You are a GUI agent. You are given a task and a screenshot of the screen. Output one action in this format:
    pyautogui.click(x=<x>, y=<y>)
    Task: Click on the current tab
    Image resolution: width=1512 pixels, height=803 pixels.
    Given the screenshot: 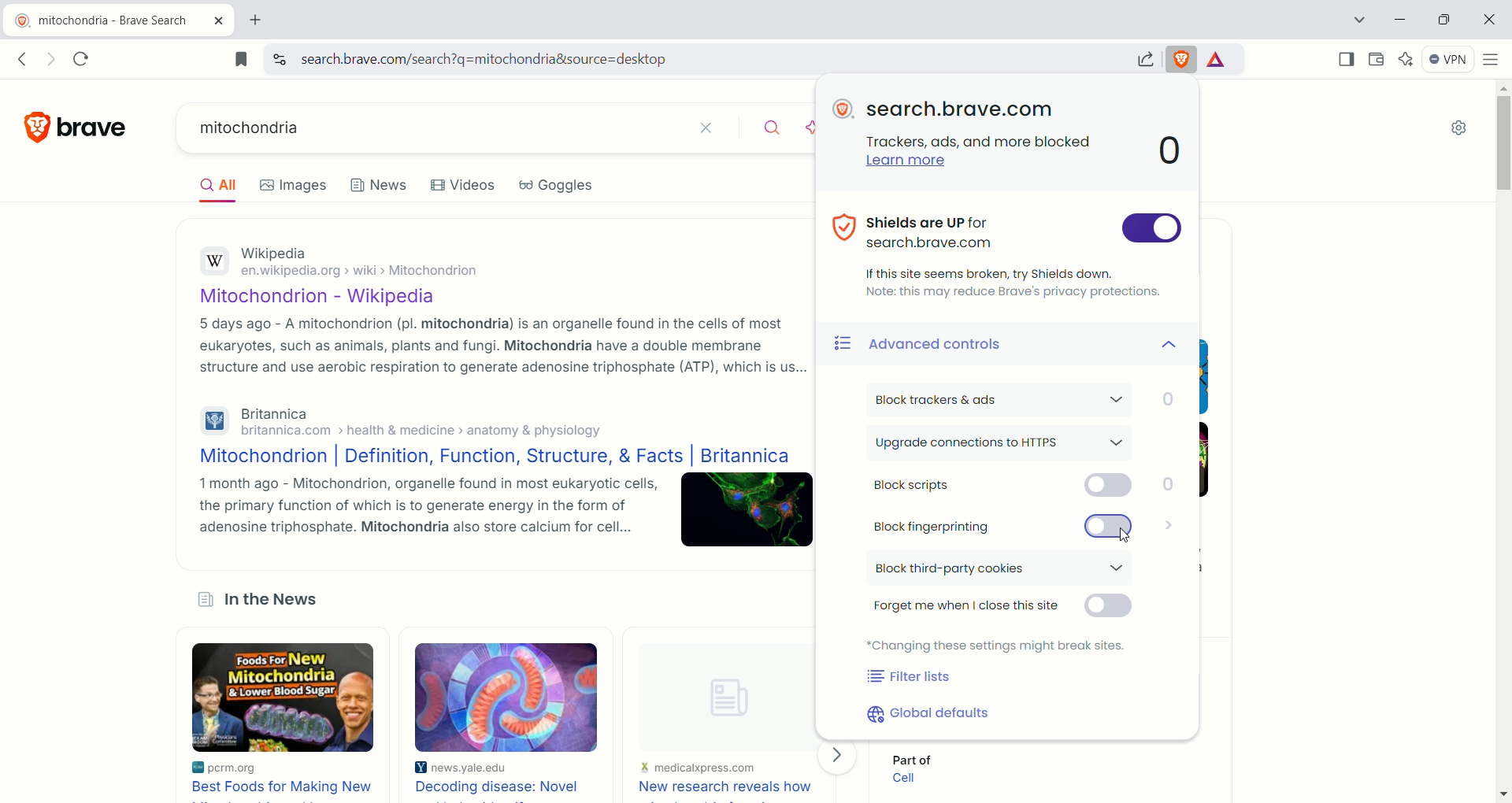 What is the action you would take?
    pyautogui.click(x=106, y=21)
    